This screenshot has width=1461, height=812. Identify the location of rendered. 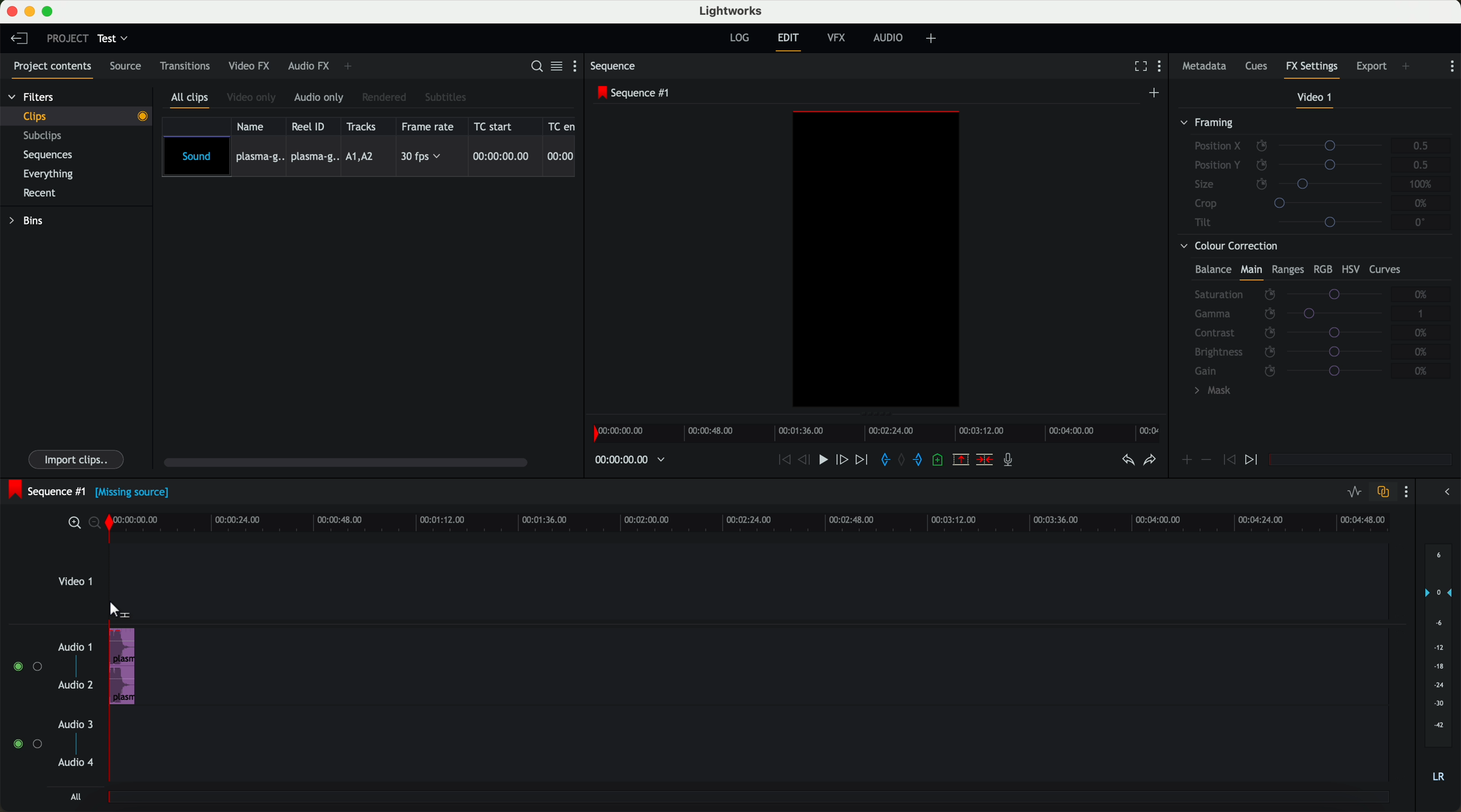
(386, 97).